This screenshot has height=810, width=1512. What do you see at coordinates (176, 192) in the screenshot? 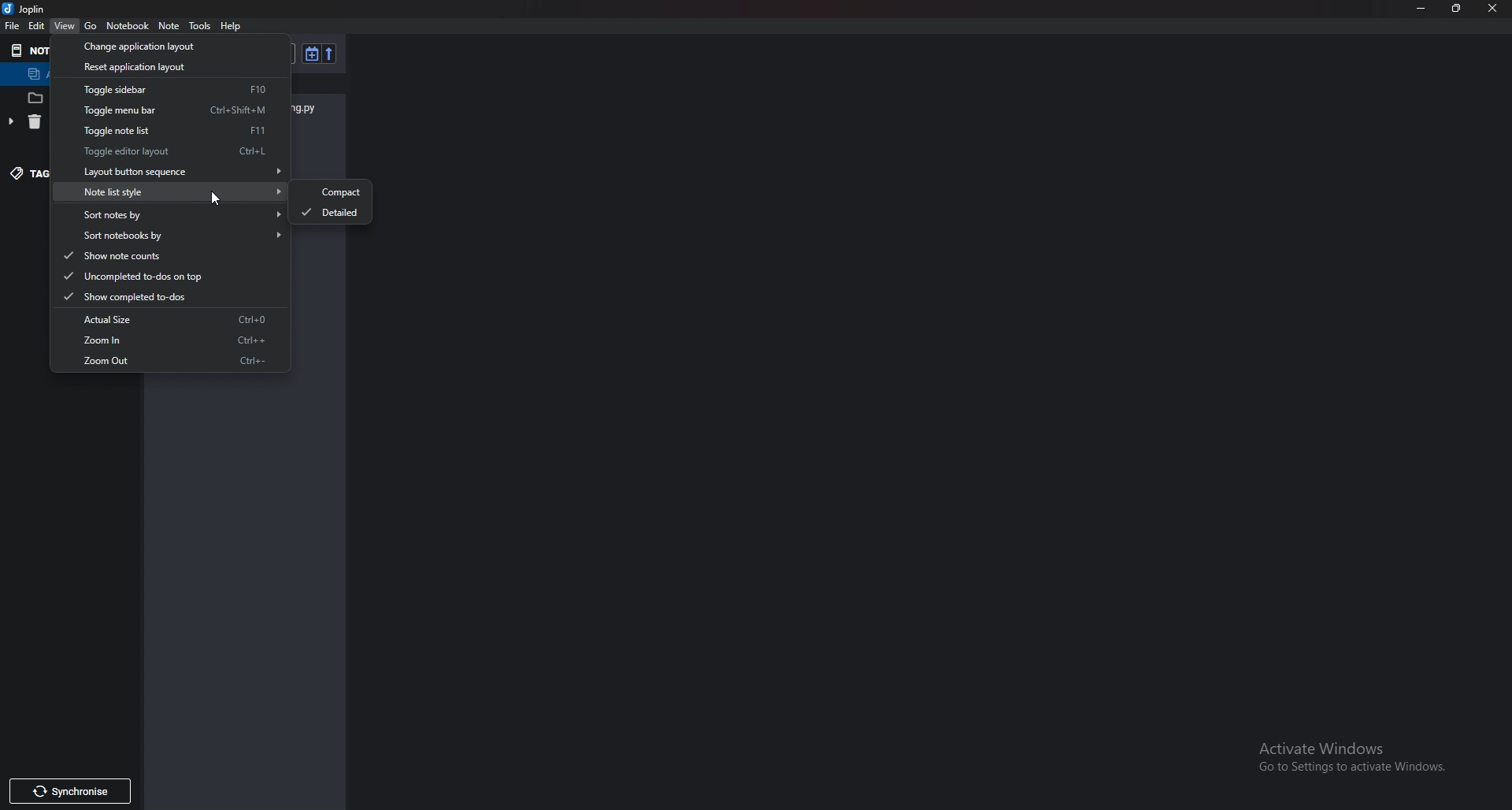
I see `note list style` at bounding box center [176, 192].